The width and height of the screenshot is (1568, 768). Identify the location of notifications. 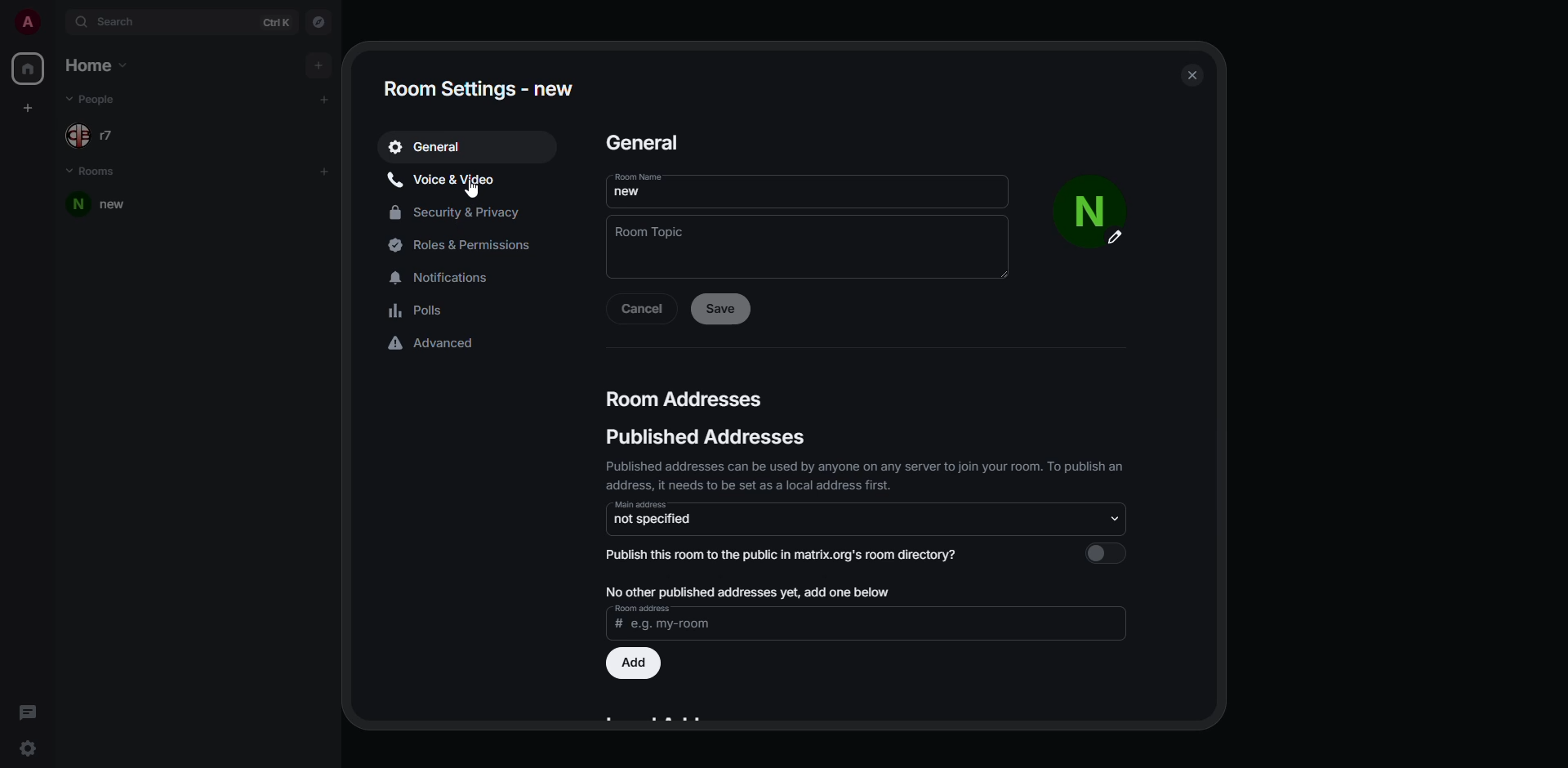
(443, 275).